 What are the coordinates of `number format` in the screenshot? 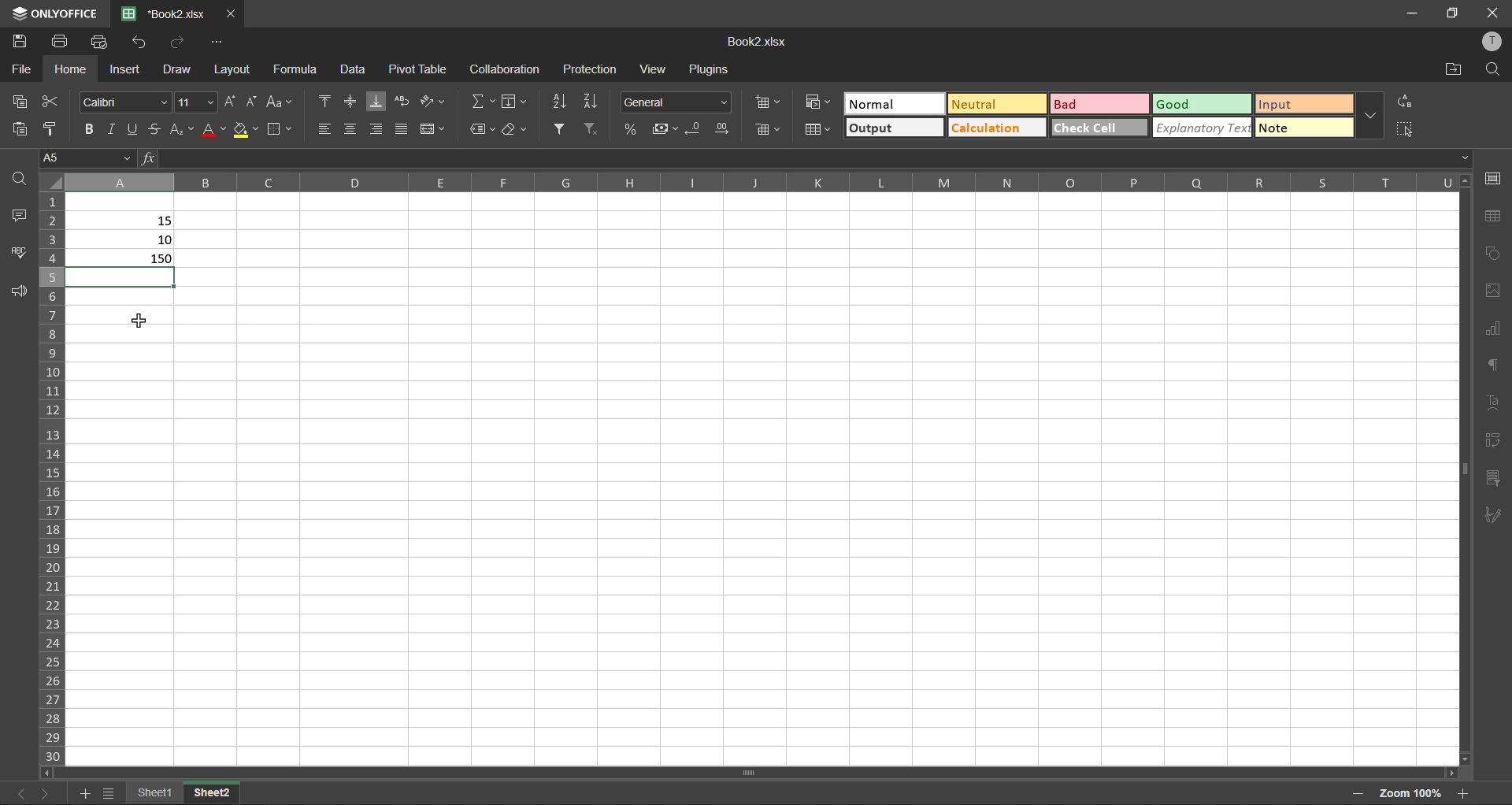 It's located at (681, 102).